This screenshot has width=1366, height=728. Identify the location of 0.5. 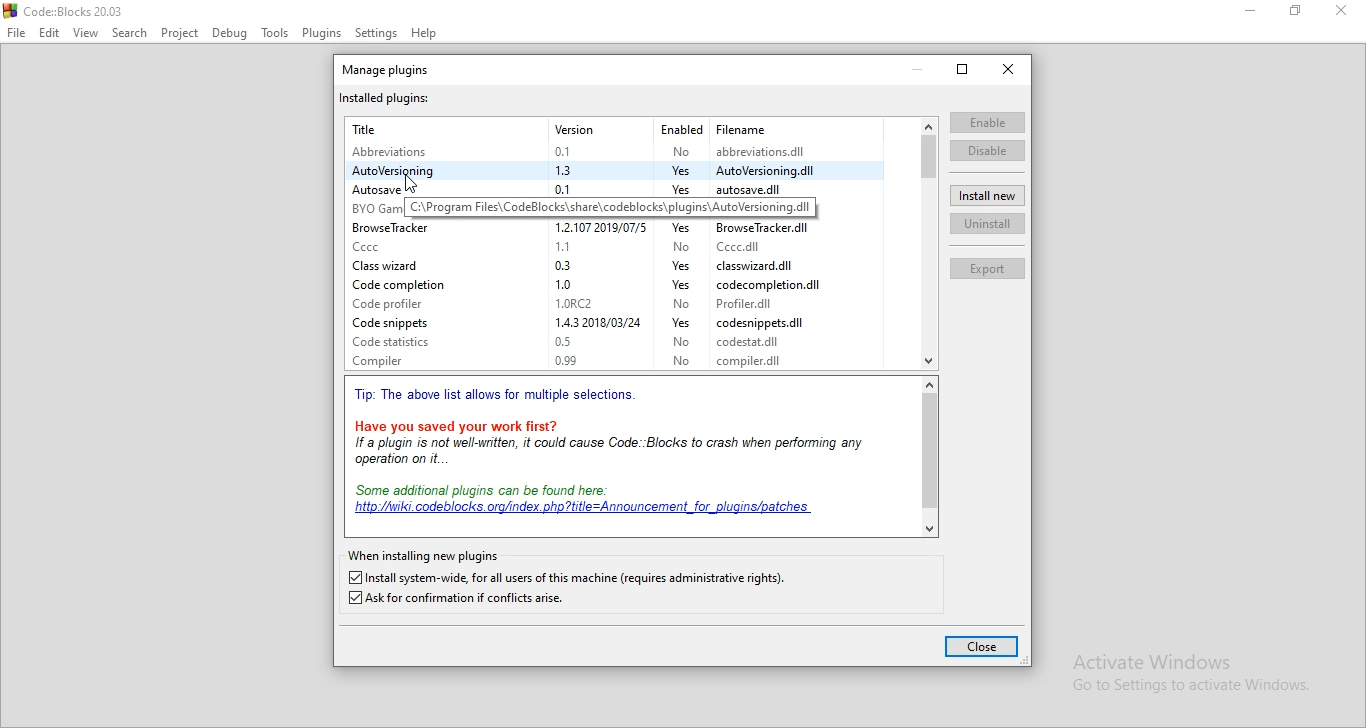
(565, 342).